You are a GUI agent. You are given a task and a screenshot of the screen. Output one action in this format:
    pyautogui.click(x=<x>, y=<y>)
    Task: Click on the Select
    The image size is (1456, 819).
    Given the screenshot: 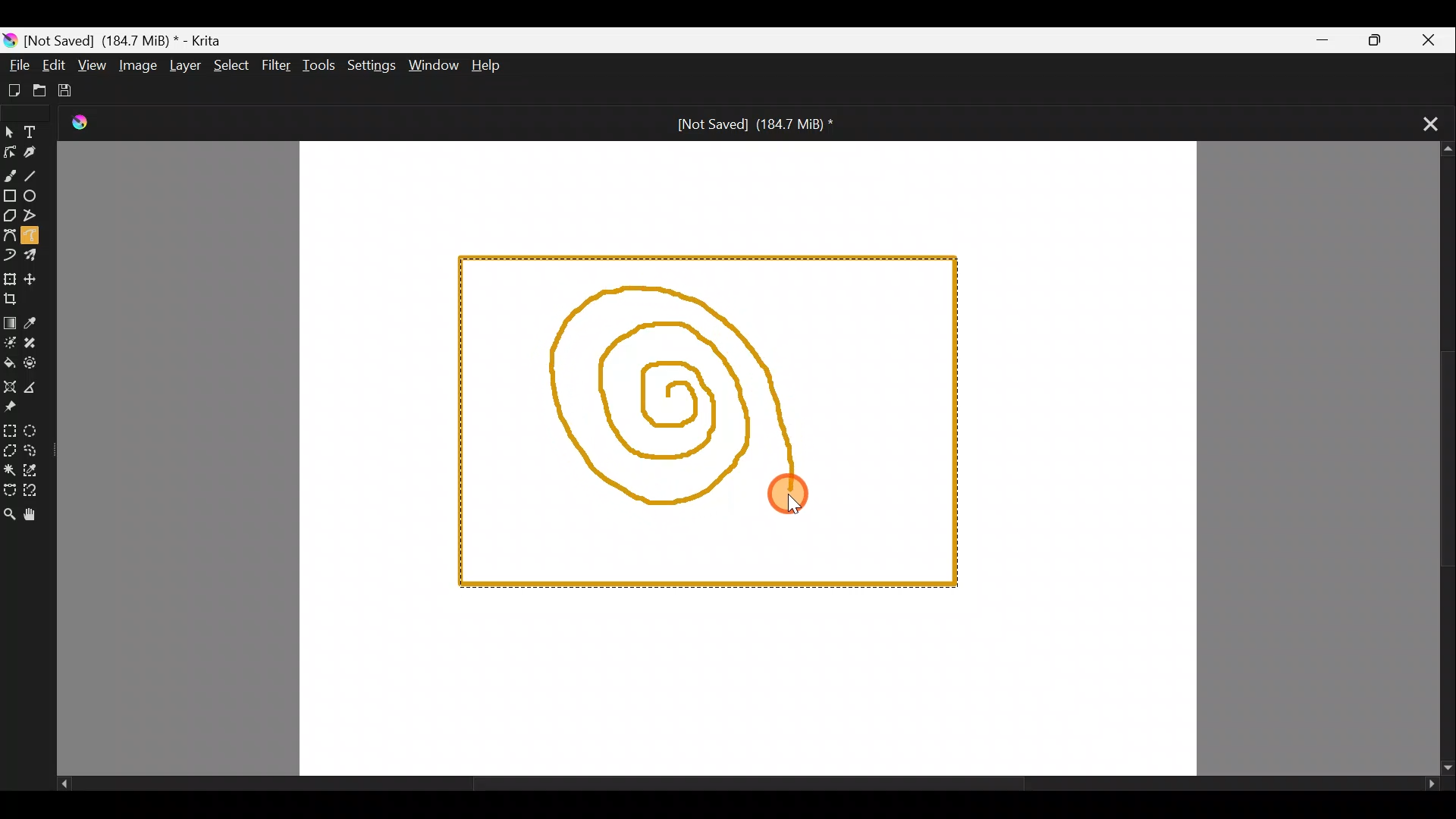 What is the action you would take?
    pyautogui.click(x=231, y=66)
    